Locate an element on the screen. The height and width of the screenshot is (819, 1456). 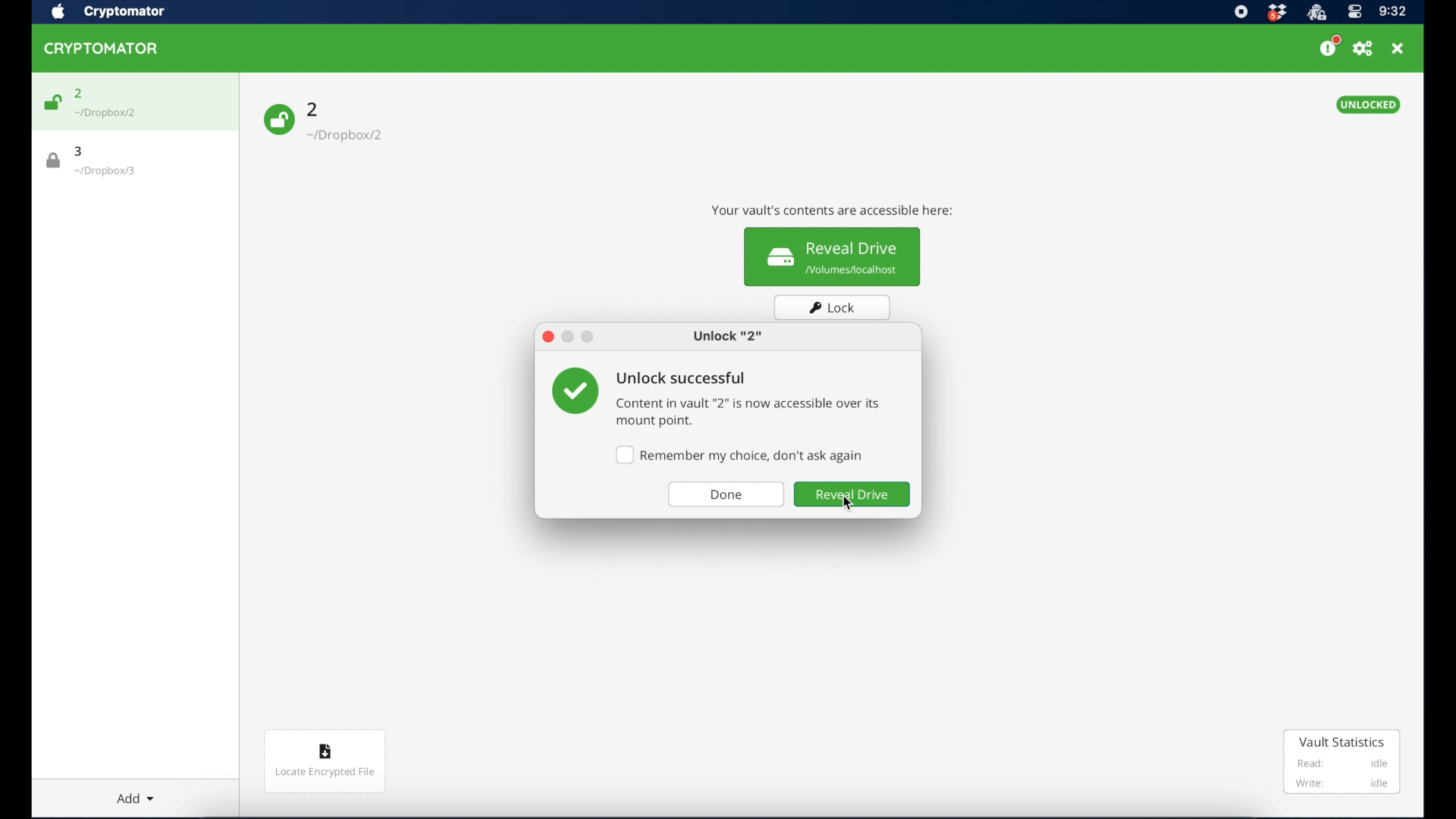
Add dropdown is located at coordinates (140, 797).